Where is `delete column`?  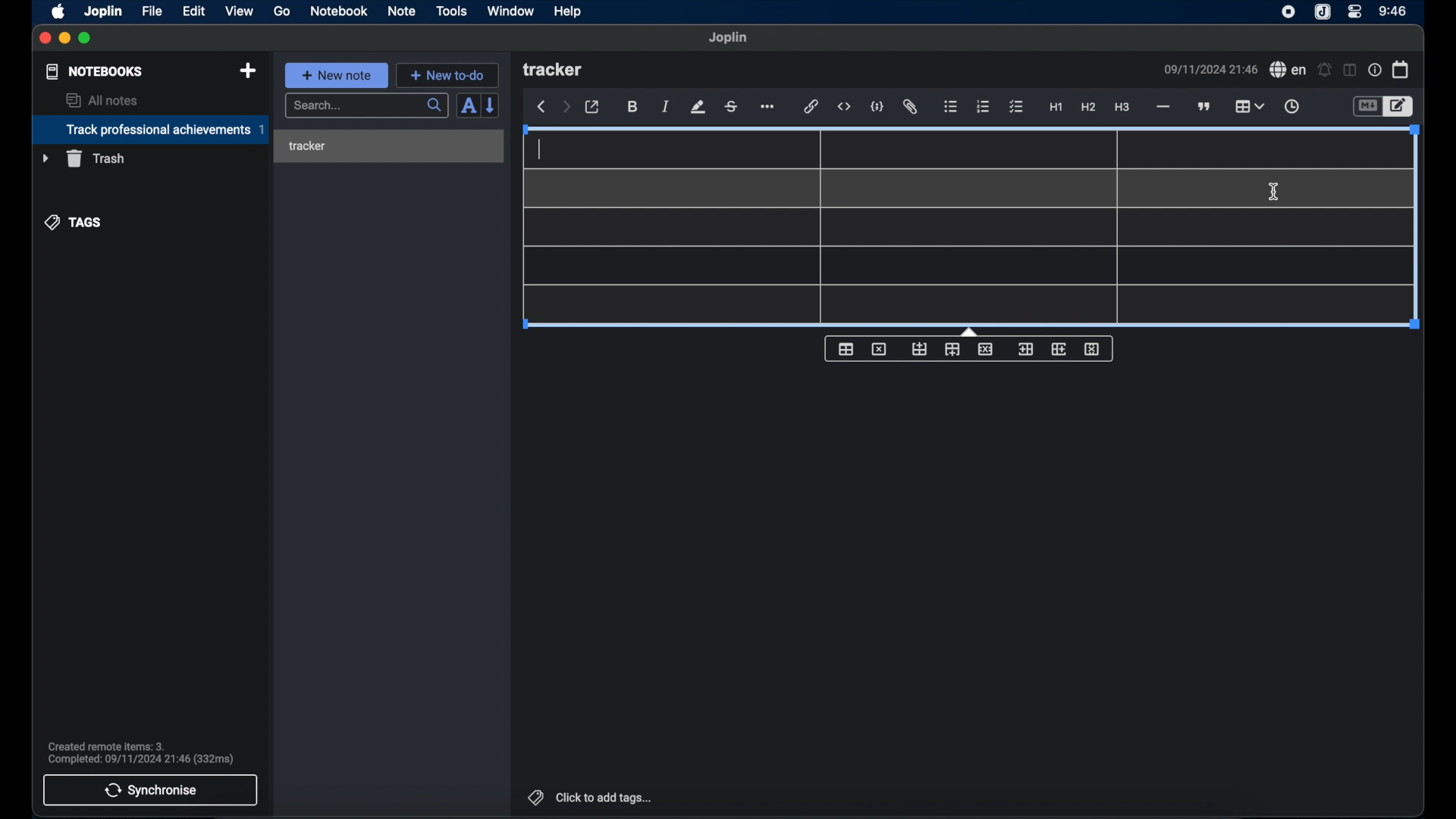 delete column is located at coordinates (1093, 350).